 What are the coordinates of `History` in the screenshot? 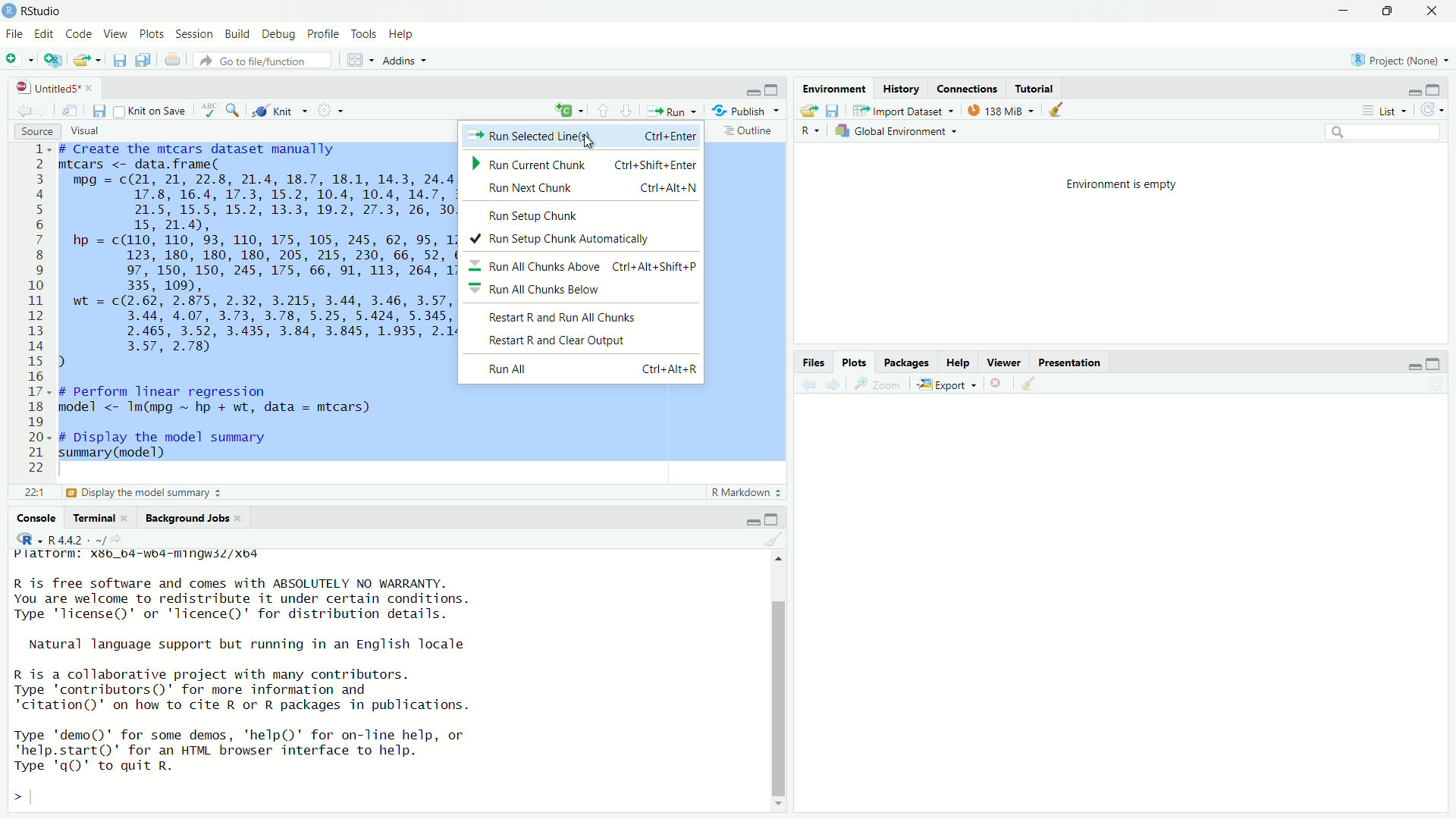 It's located at (899, 89).